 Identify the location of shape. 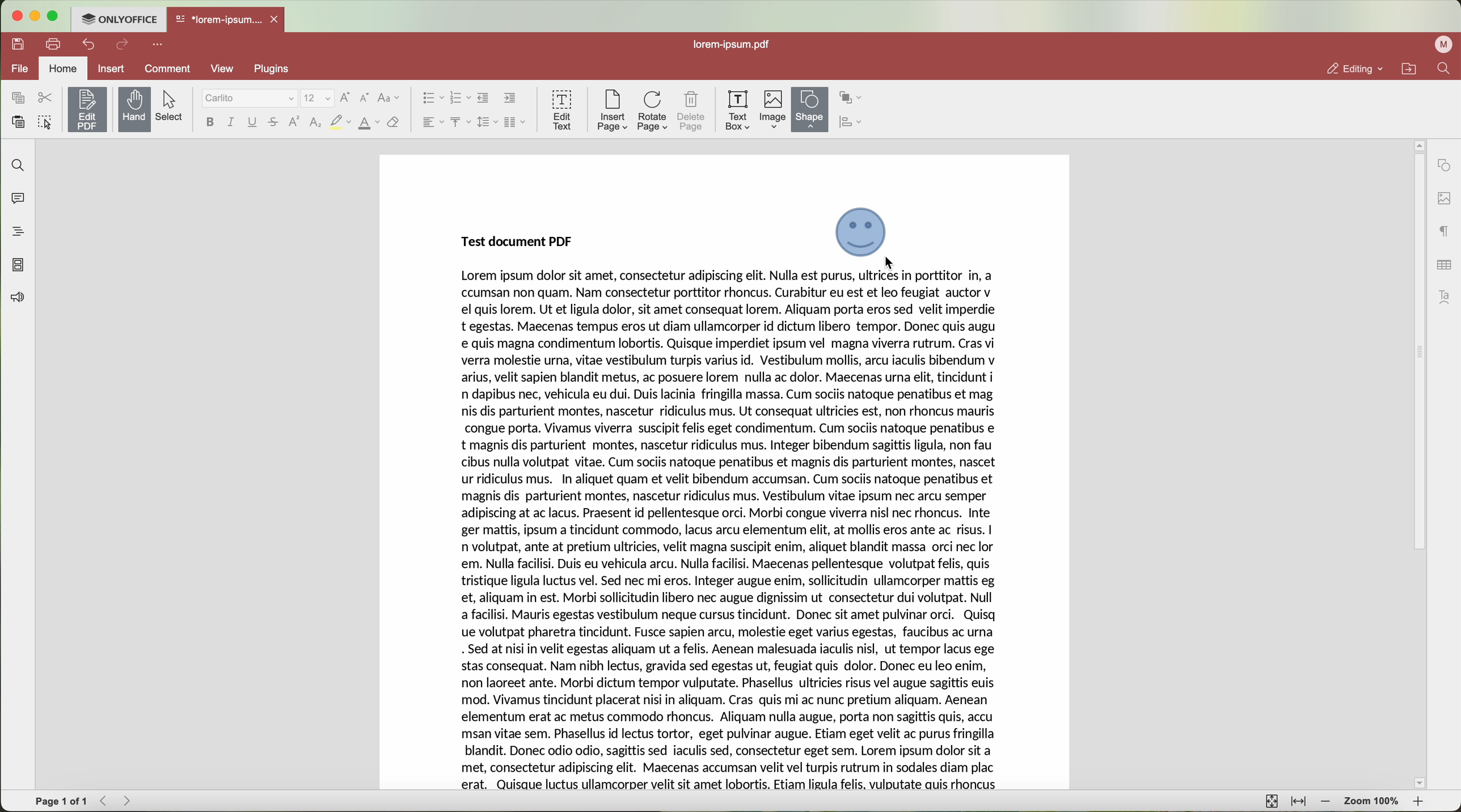
(809, 109).